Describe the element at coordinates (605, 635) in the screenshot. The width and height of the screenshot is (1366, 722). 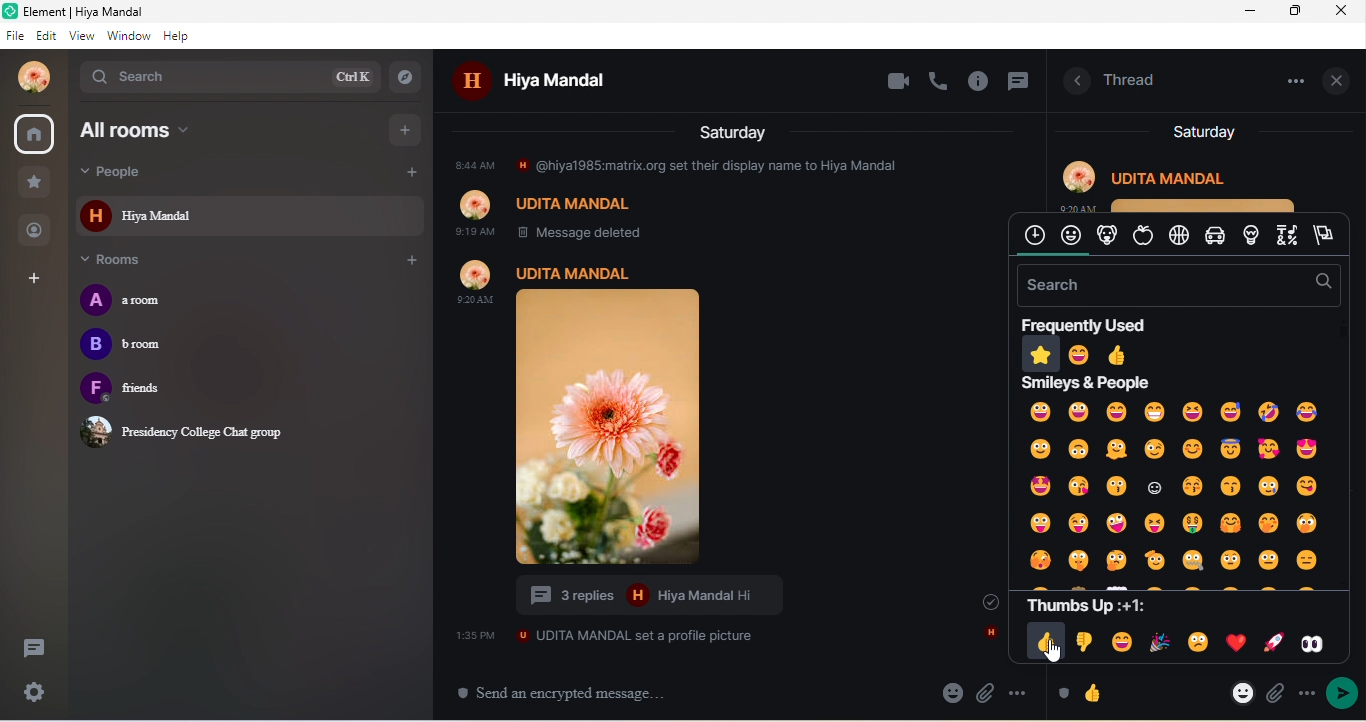
I see `udita mandal set a profile picture` at that location.